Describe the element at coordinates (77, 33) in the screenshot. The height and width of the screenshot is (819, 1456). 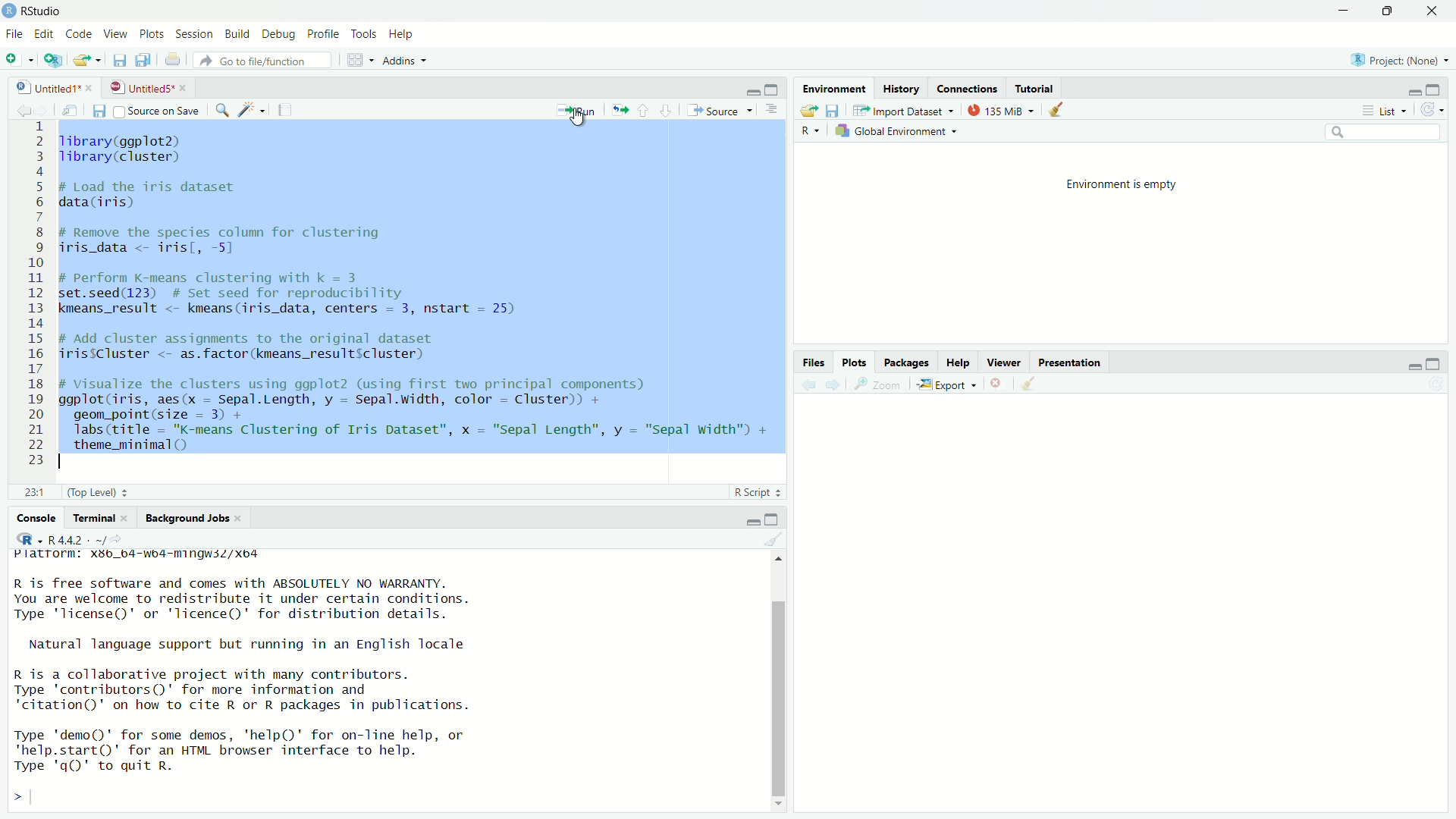
I see `code` at that location.